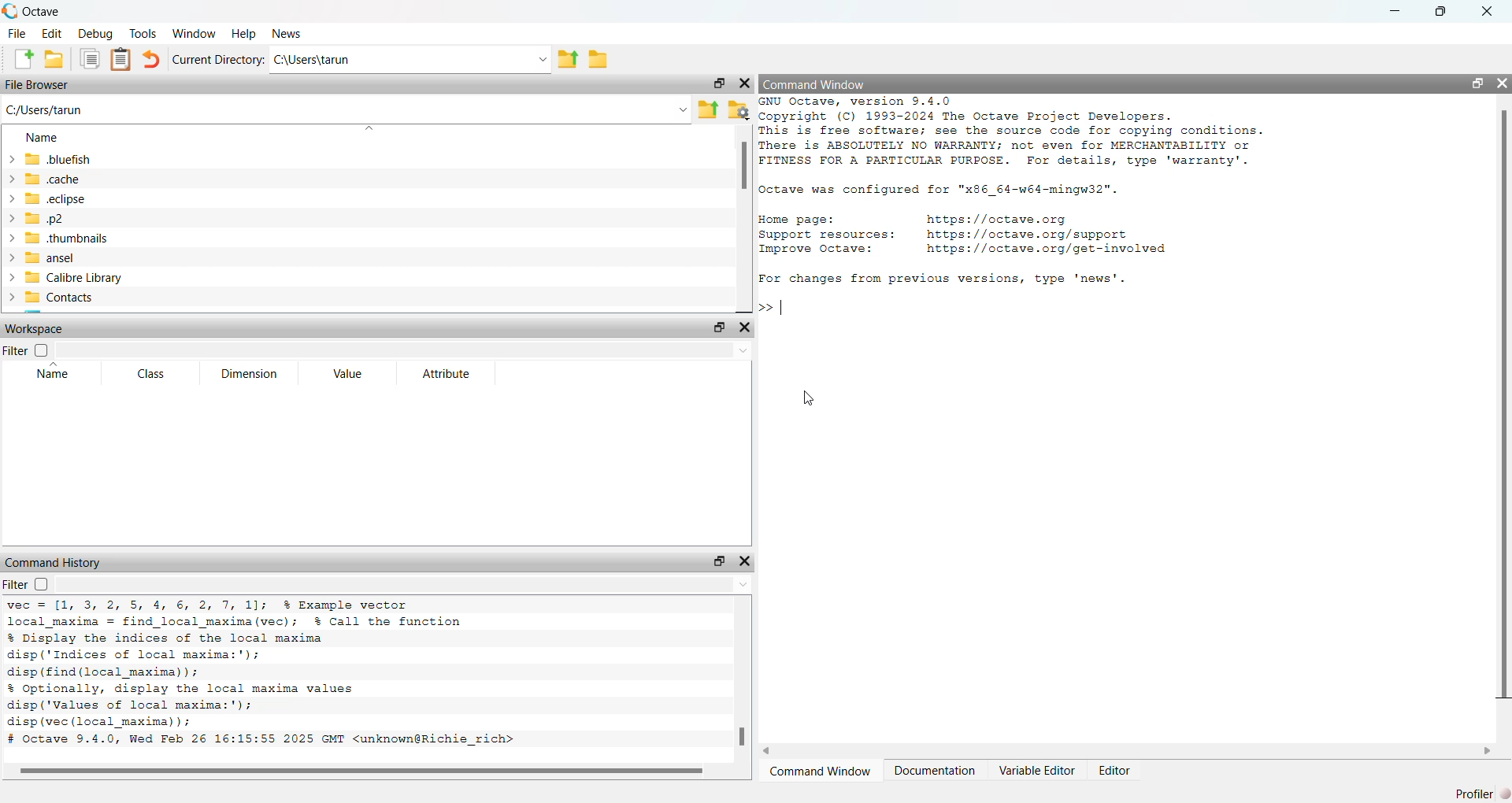 This screenshot has width=1512, height=803. What do you see at coordinates (813, 83) in the screenshot?
I see `Command Window` at bounding box center [813, 83].